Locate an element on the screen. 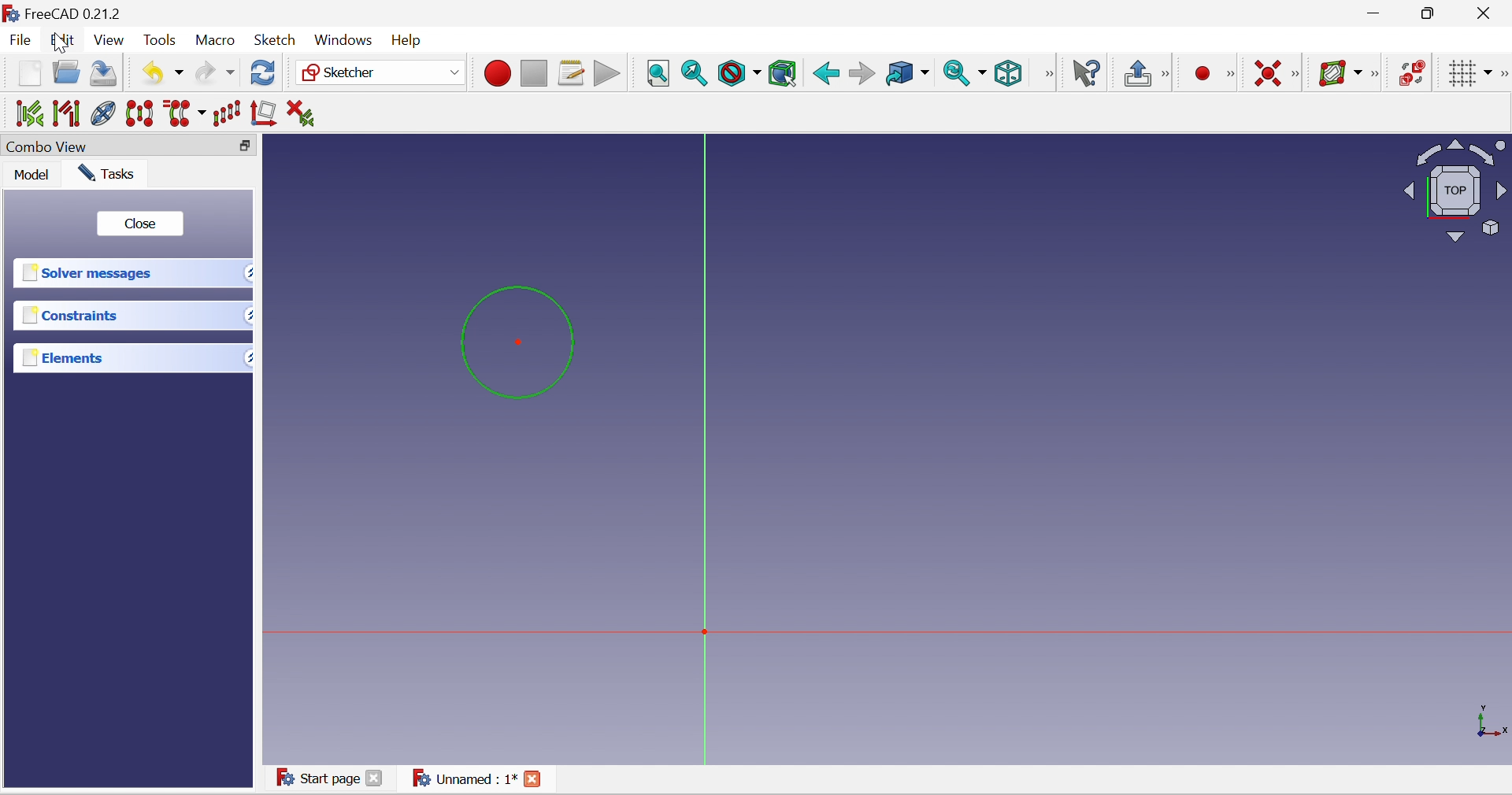  Help is located at coordinates (406, 42).